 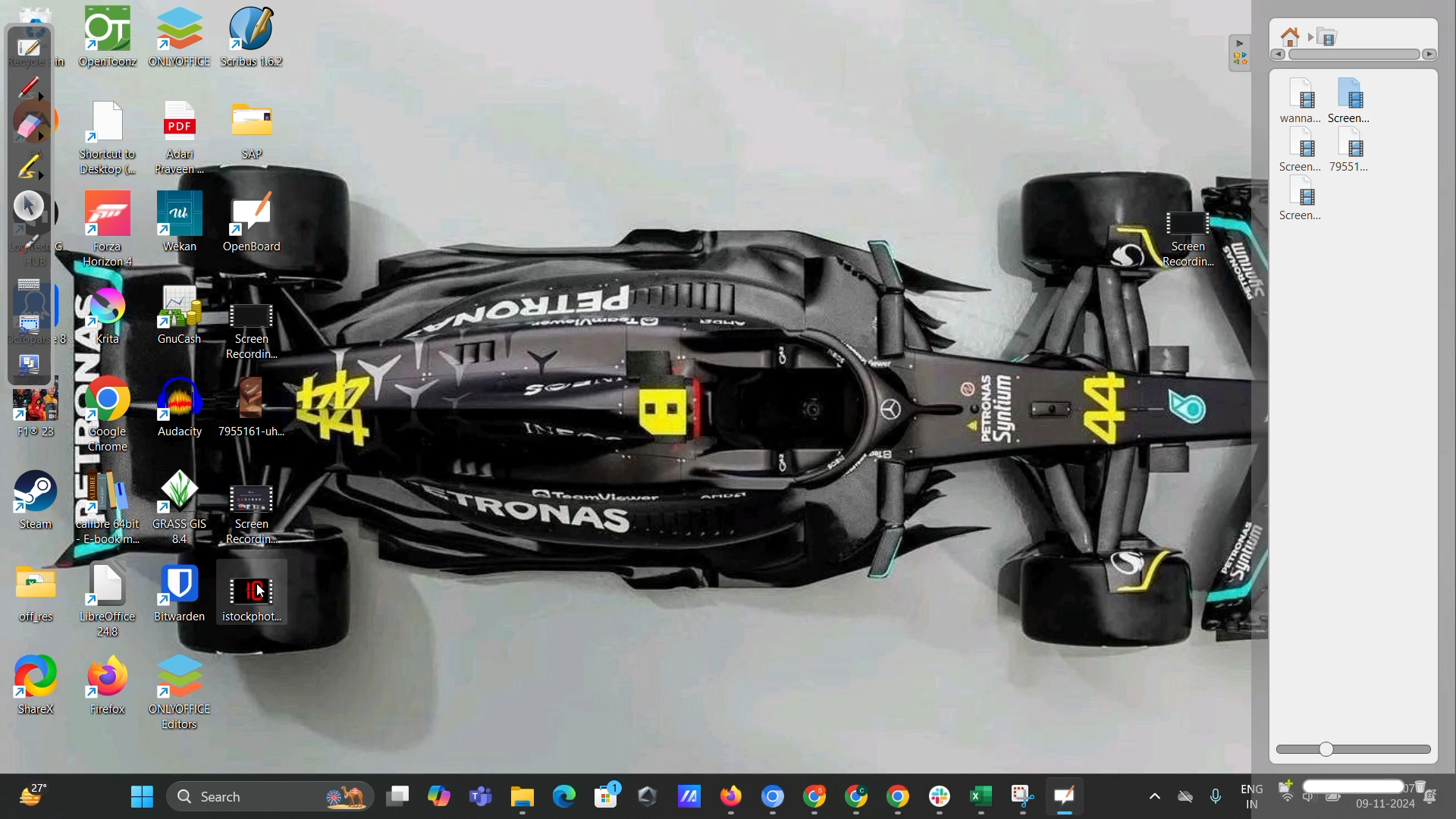 I want to click on zoom slider, so click(x=1356, y=748).